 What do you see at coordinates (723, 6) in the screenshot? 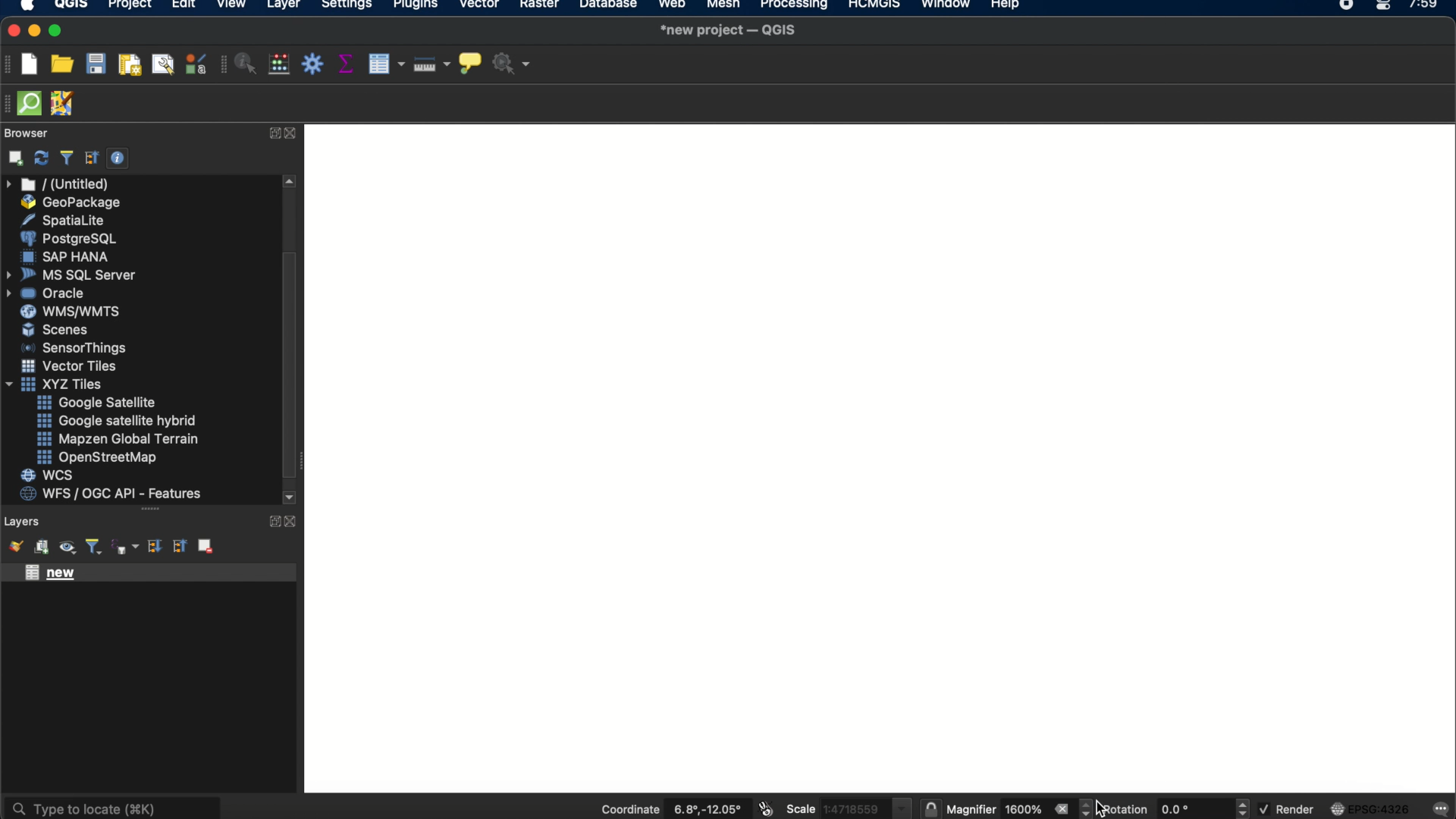
I see `mesh` at bounding box center [723, 6].